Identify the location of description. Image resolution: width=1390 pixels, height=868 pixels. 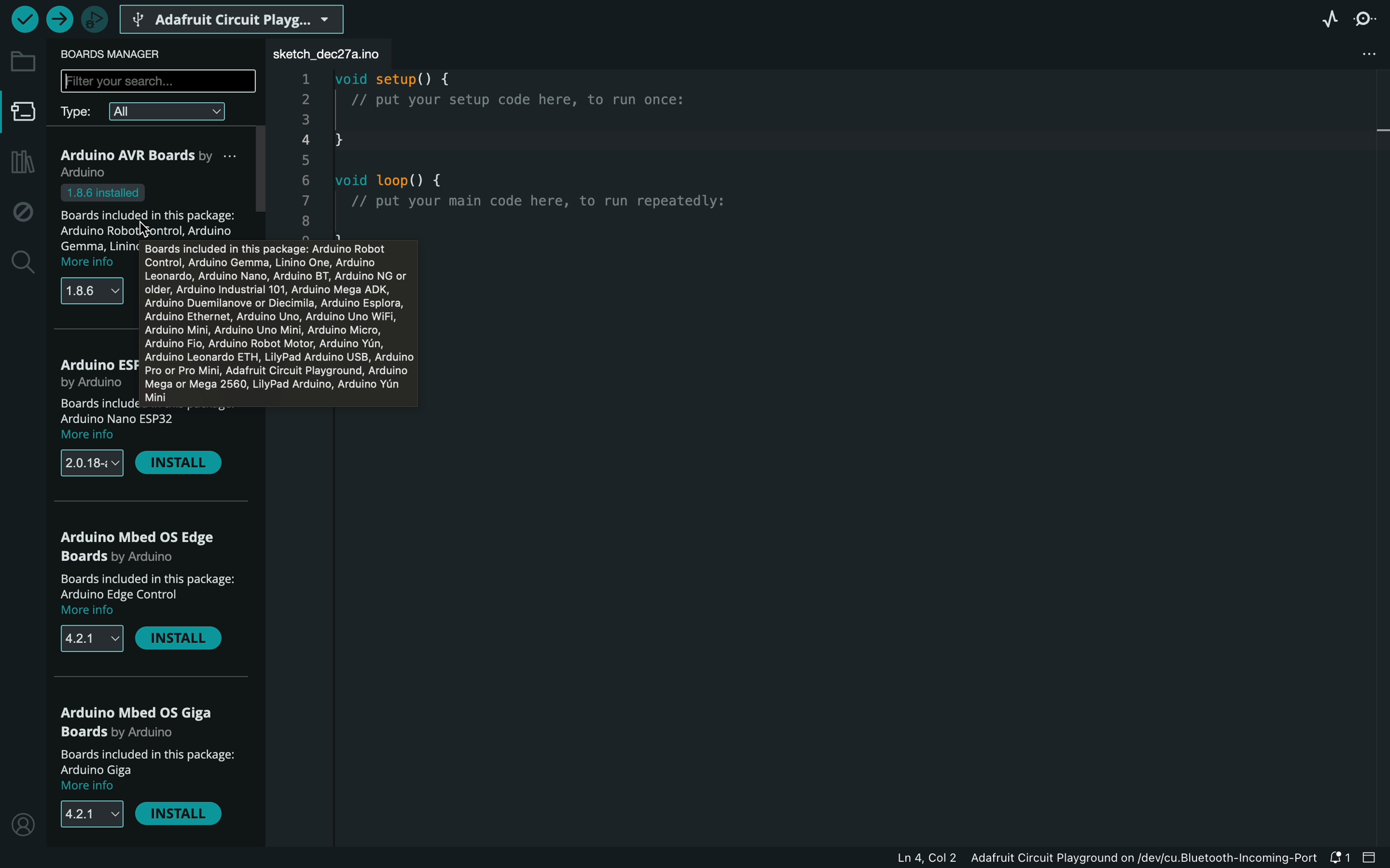
(159, 212).